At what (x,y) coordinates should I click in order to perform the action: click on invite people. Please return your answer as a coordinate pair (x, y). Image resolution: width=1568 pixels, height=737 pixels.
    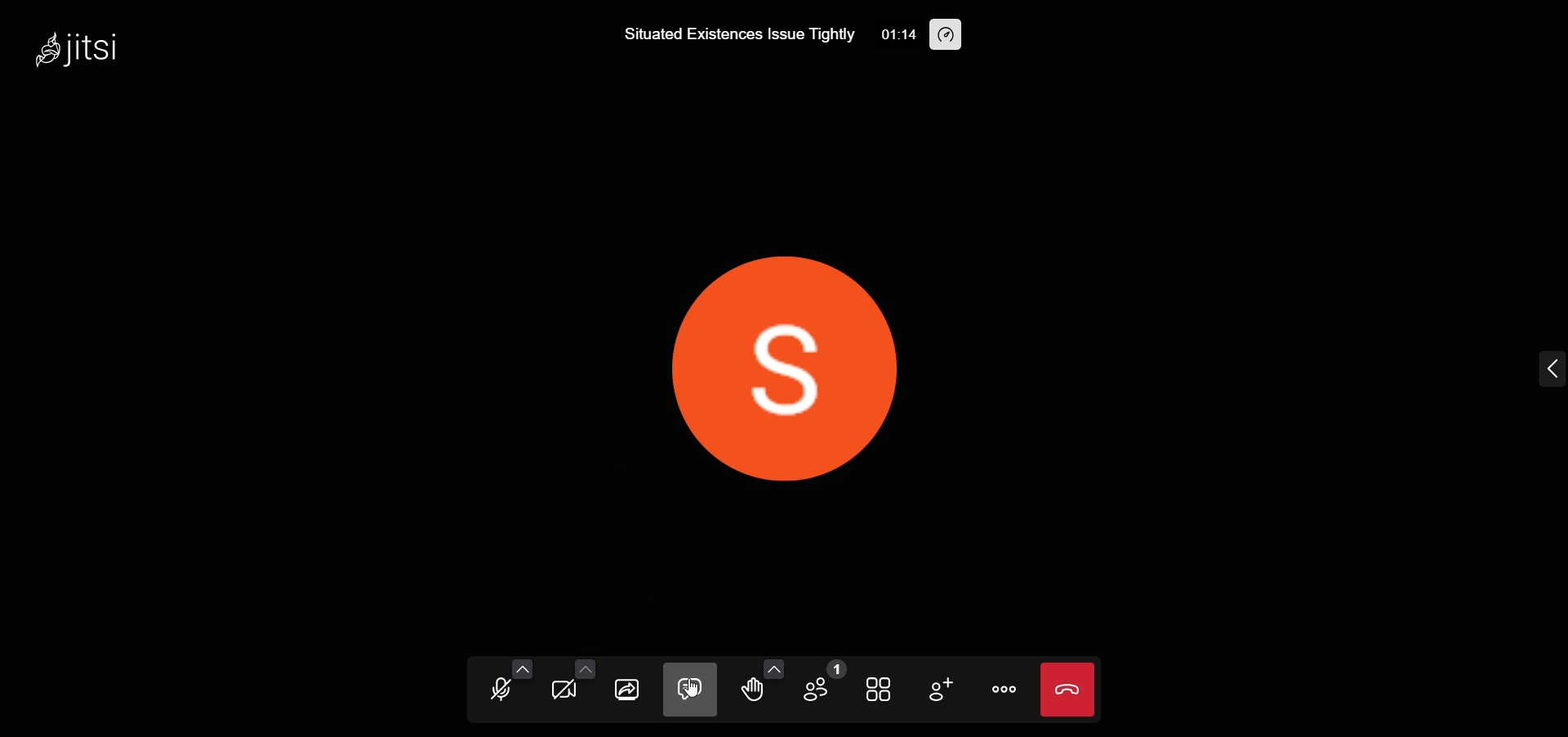
    Looking at the image, I should click on (942, 690).